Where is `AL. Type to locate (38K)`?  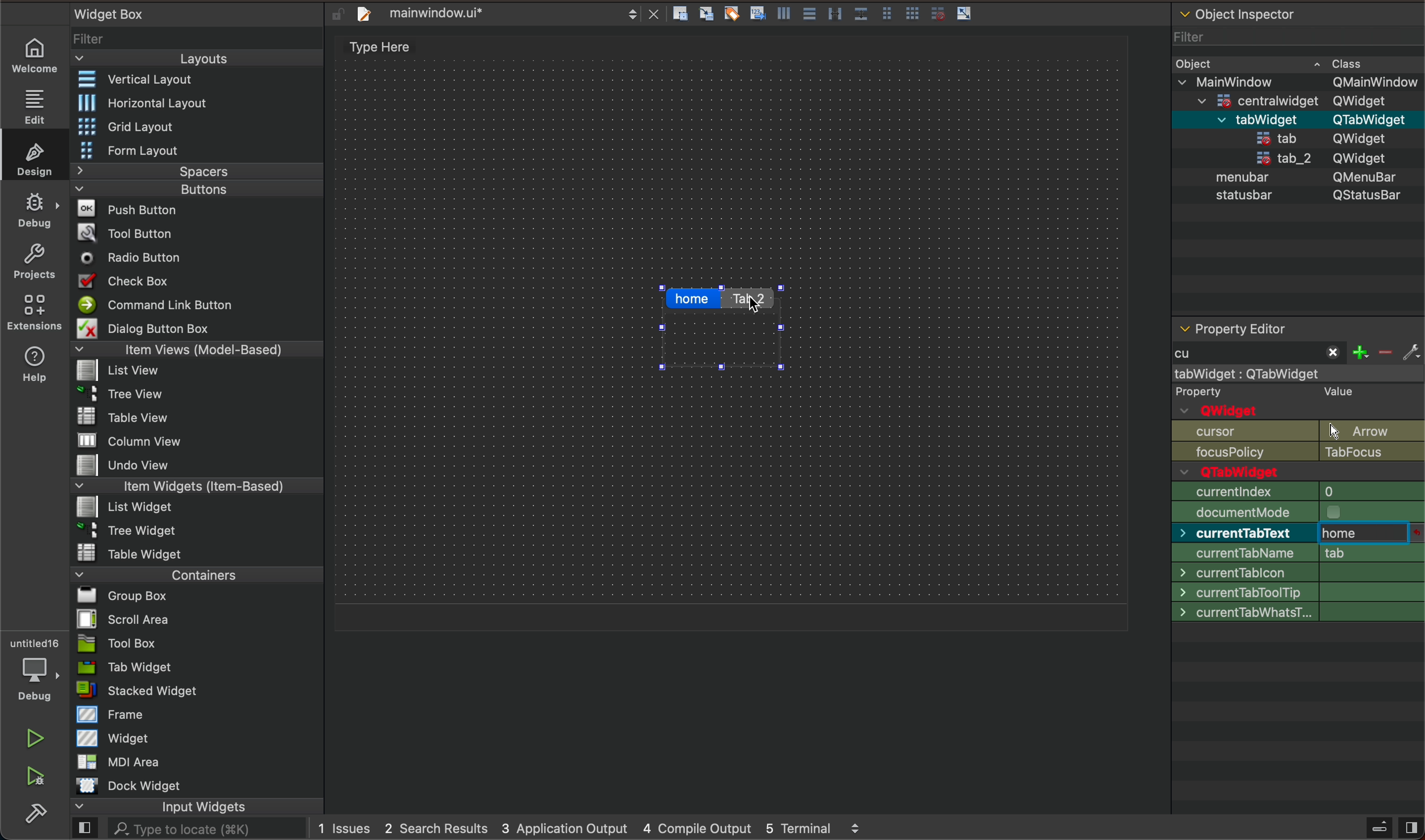
AL. Type to locate (38K) is located at coordinates (195, 830).